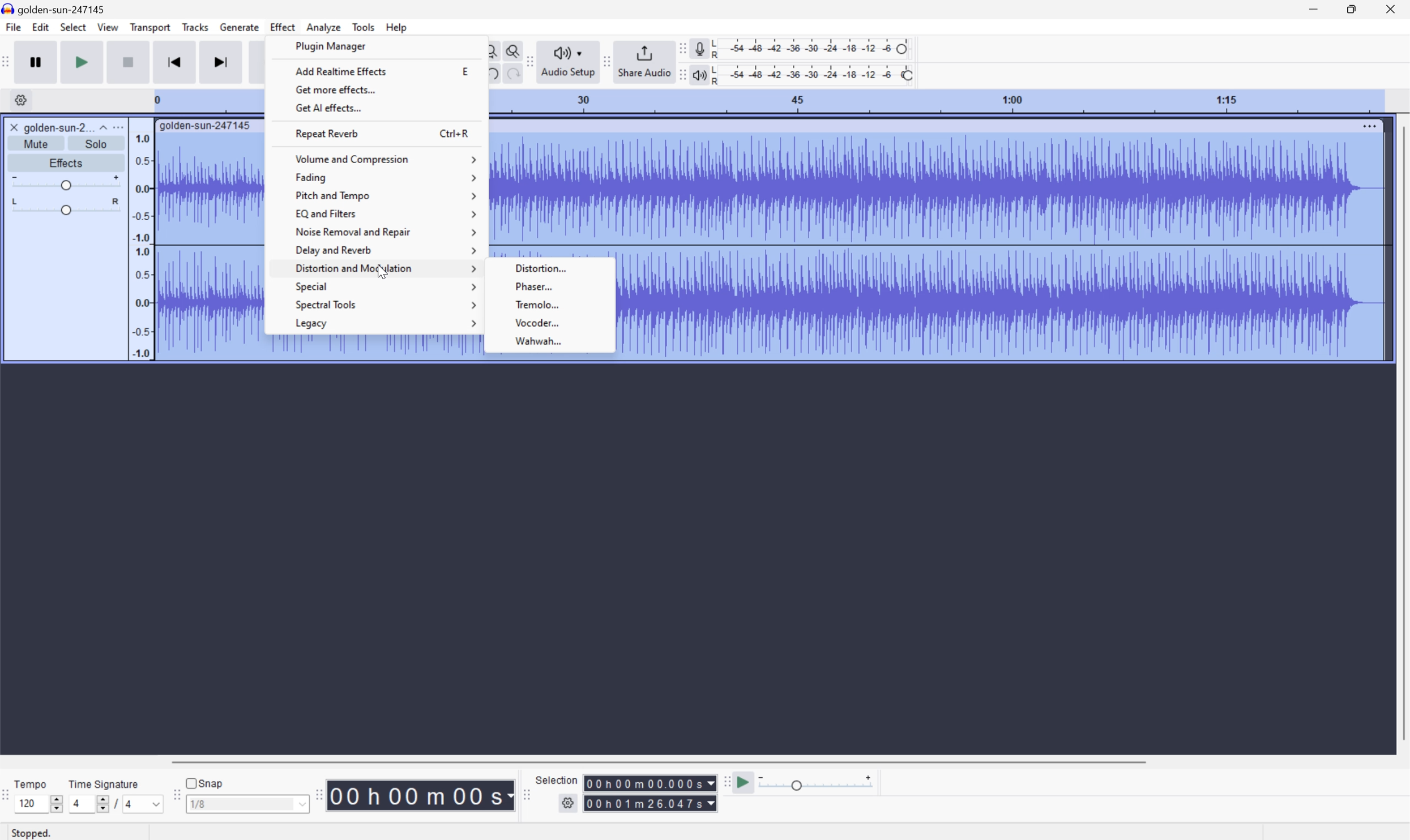  I want to click on golden-sun-247145, so click(57, 8).